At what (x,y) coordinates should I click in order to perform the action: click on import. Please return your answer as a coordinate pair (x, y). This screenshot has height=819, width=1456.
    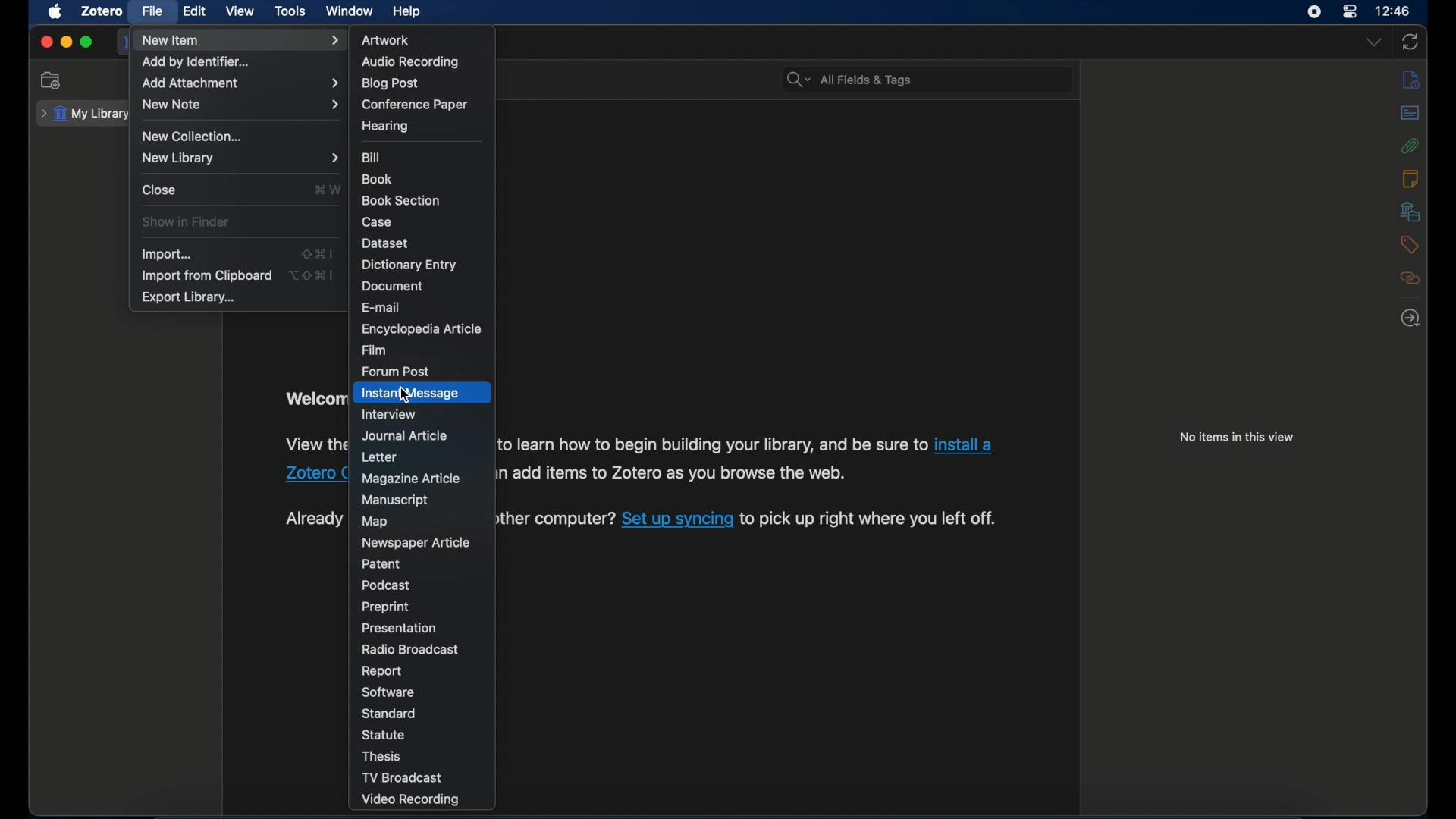
    Looking at the image, I should click on (167, 254).